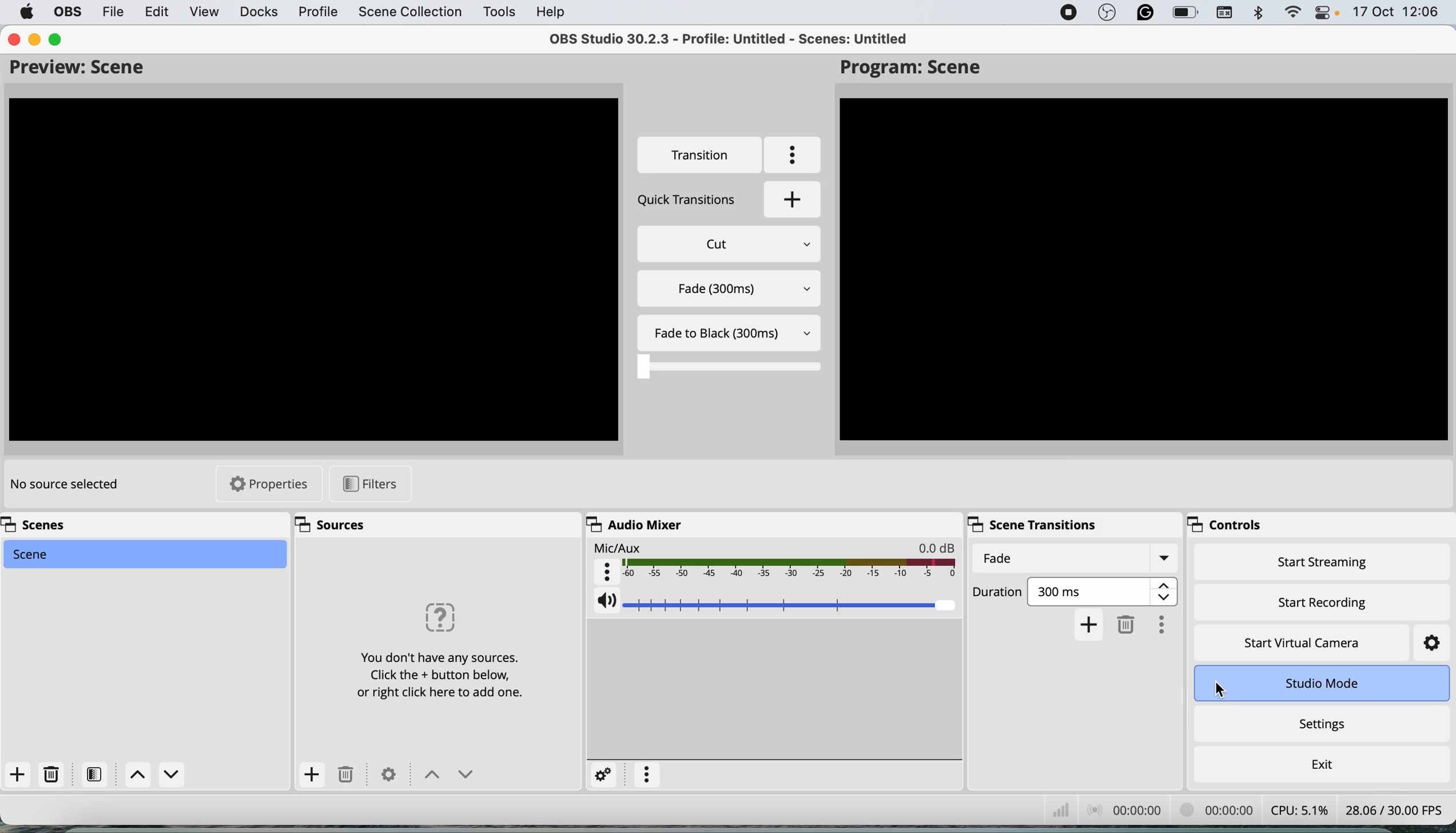 The height and width of the screenshot is (833, 1456). Describe the element at coordinates (1324, 13) in the screenshot. I see `control center` at that location.